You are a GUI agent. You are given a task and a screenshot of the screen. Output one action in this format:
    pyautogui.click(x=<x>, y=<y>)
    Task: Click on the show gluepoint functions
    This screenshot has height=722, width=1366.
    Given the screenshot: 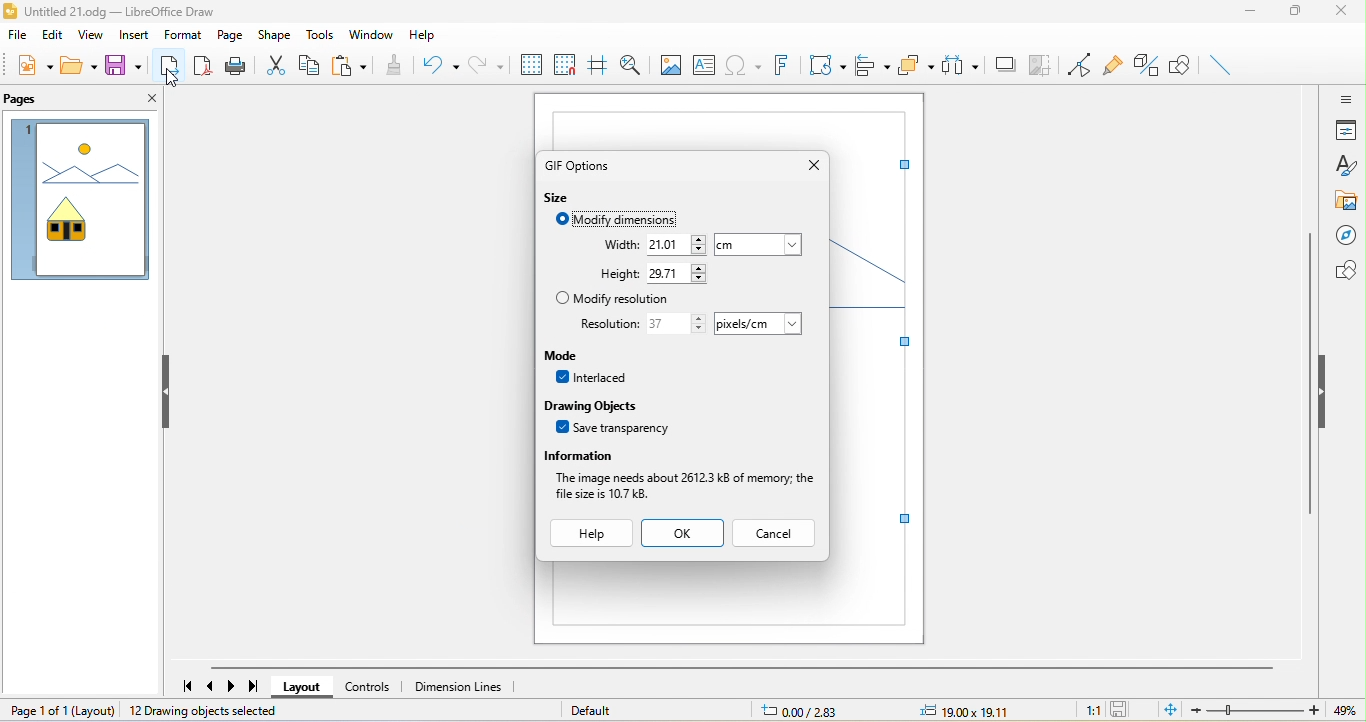 What is the action you would take?
    pyautogui.click(x=1118, y=68)
    